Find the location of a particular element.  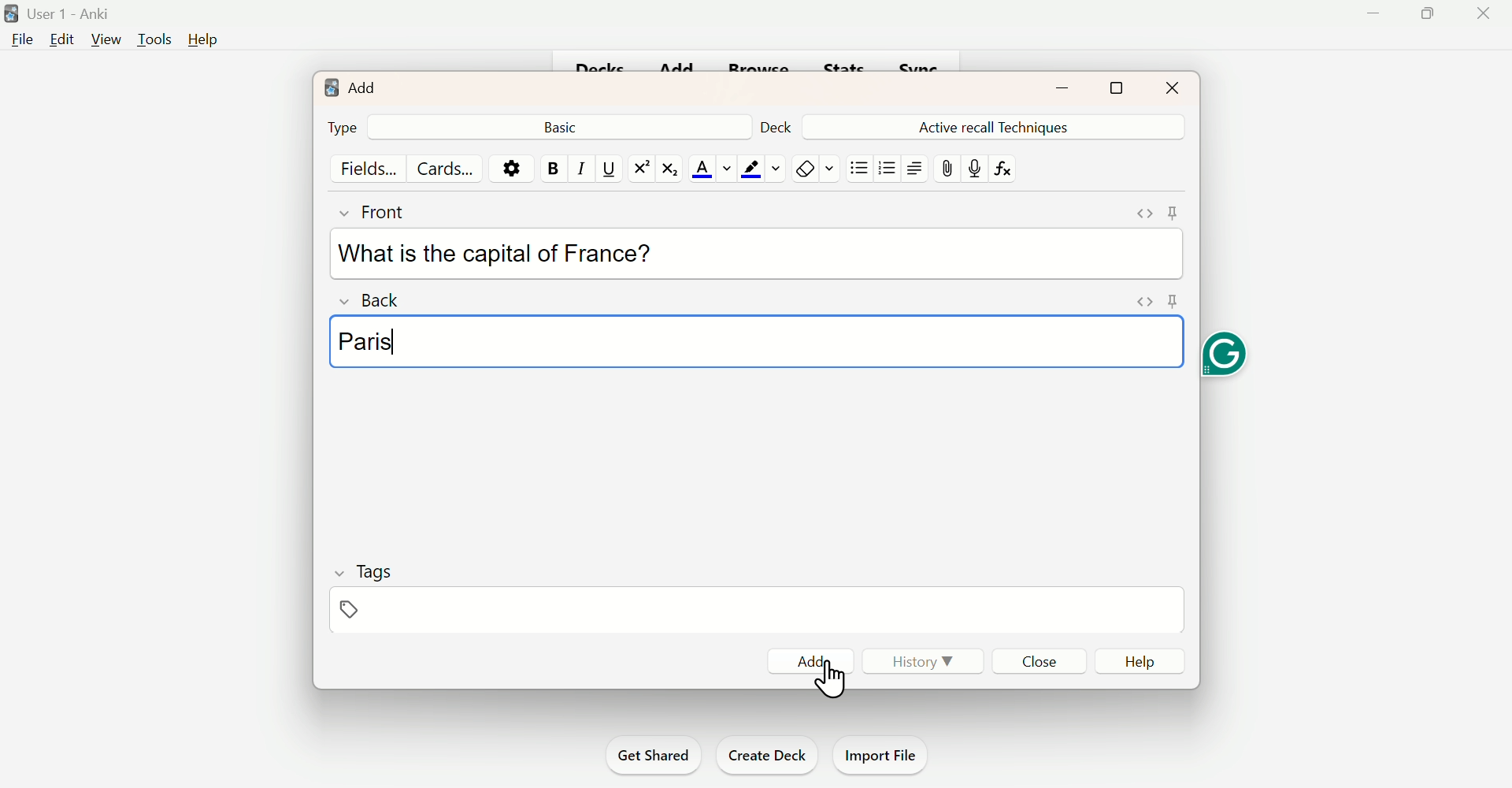

History is located at coordinates (929, 663).